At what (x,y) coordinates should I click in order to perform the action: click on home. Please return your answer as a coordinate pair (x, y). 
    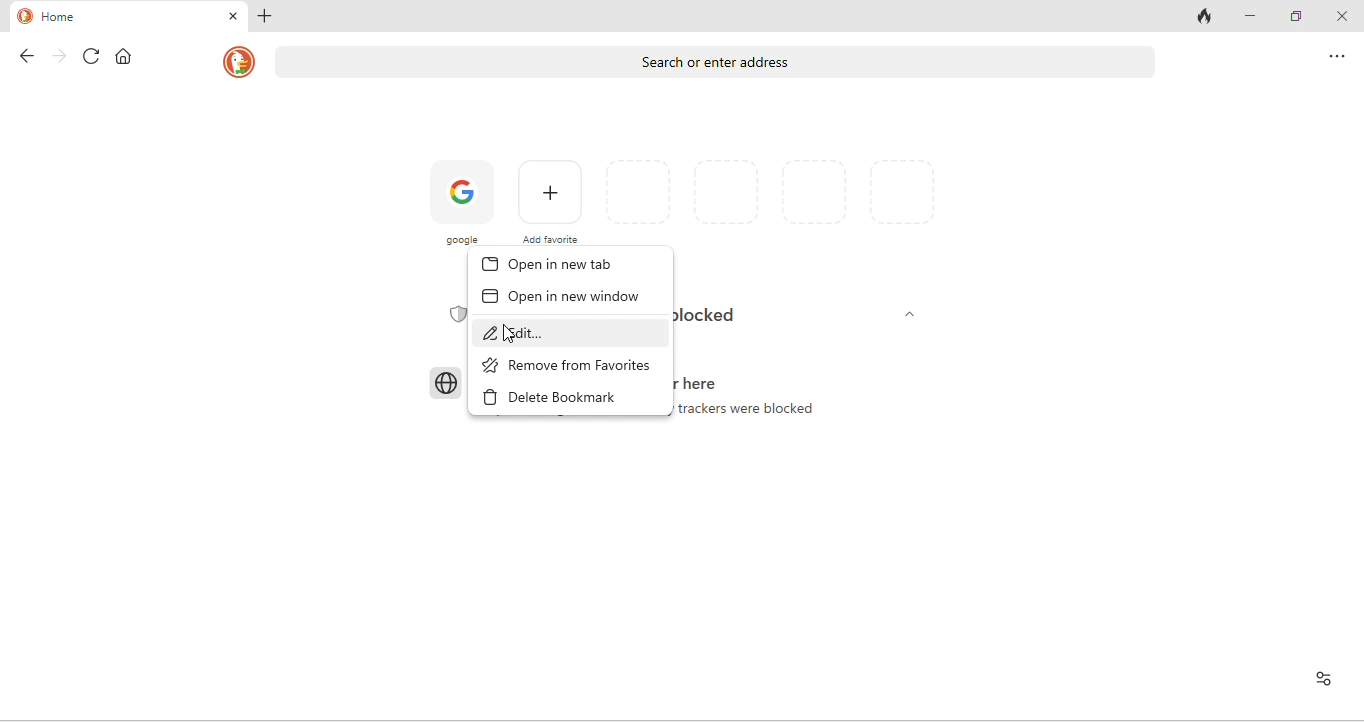
    Looking at the image, I should click on (122, 56).